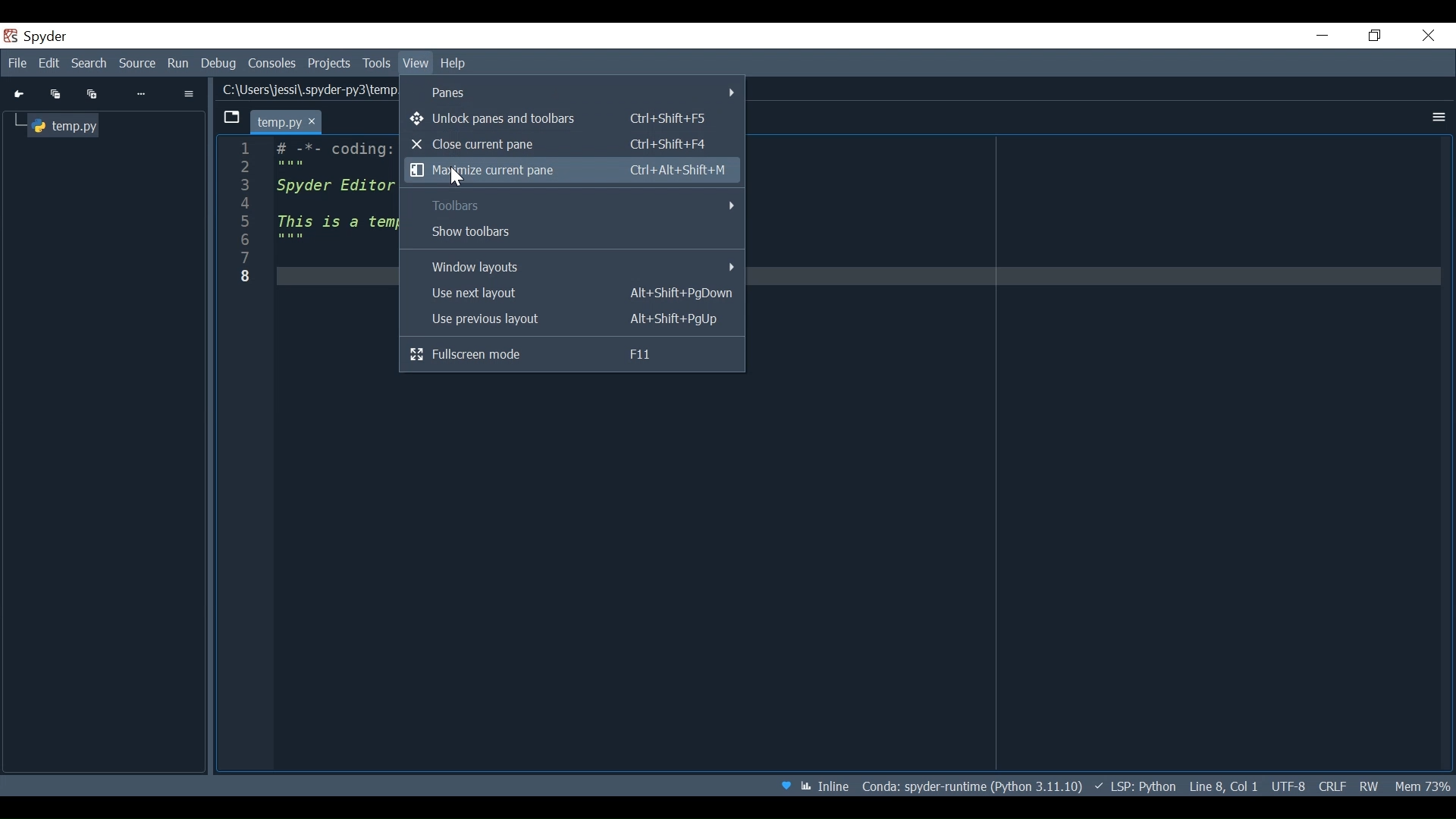 This screenshot has height=819, width=1456. Describe the element at coordinates (1368, 786) in the screenshot. I see `File Permissions` at that location.